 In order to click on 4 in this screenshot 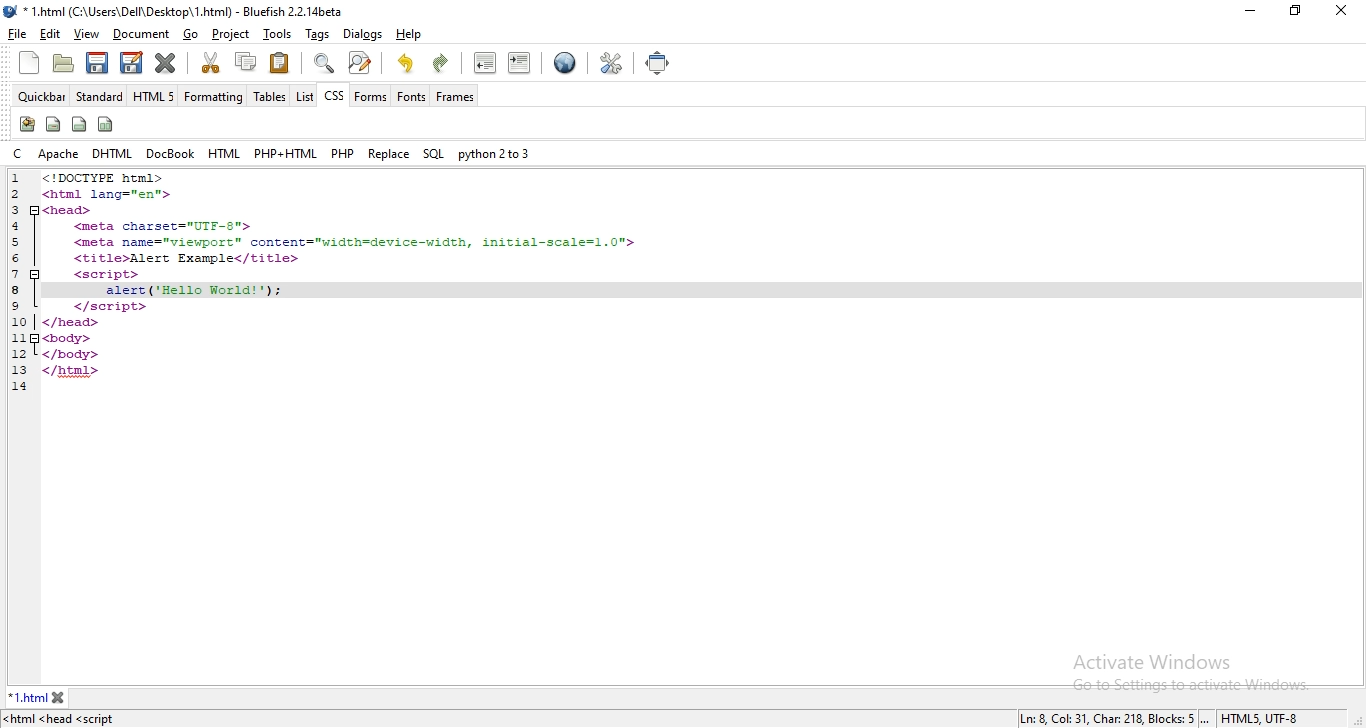, I will do `click(19, 225)`.